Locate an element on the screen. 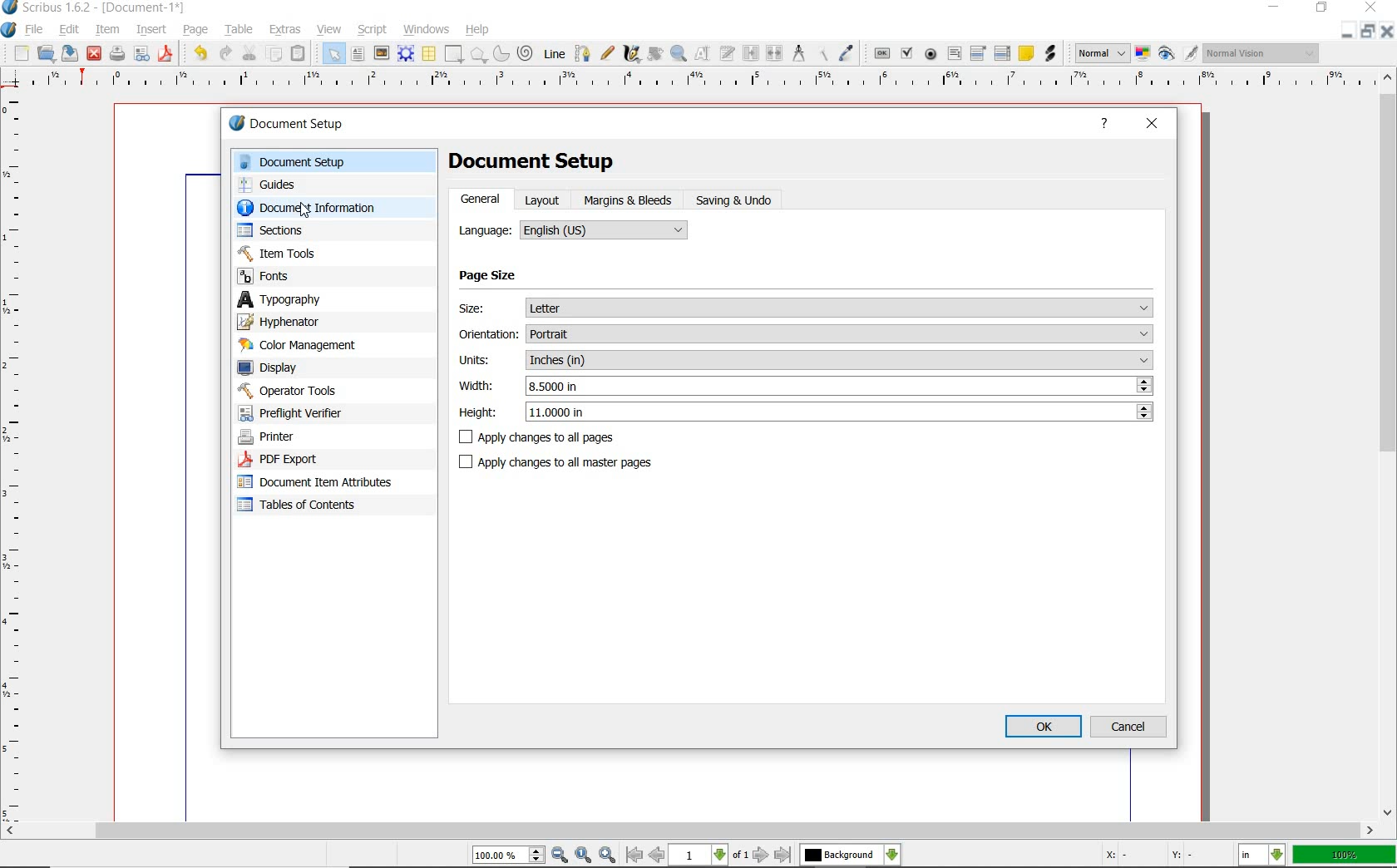 The height and width of the screenshot is (868, 1397). item is located at coordinates (108, 31).